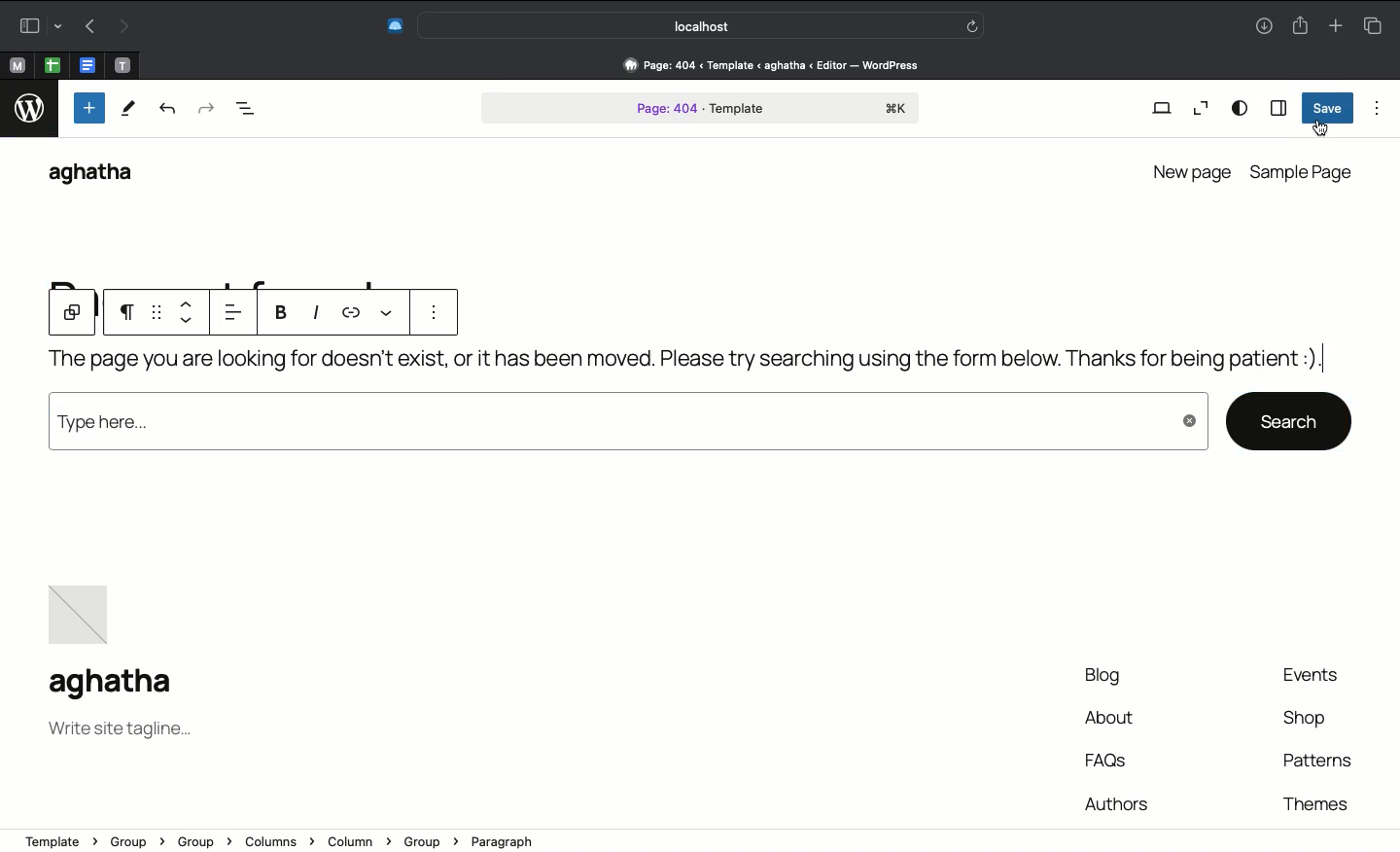 The image size is (1400, 852). I want to click on options, so click(428, 314).